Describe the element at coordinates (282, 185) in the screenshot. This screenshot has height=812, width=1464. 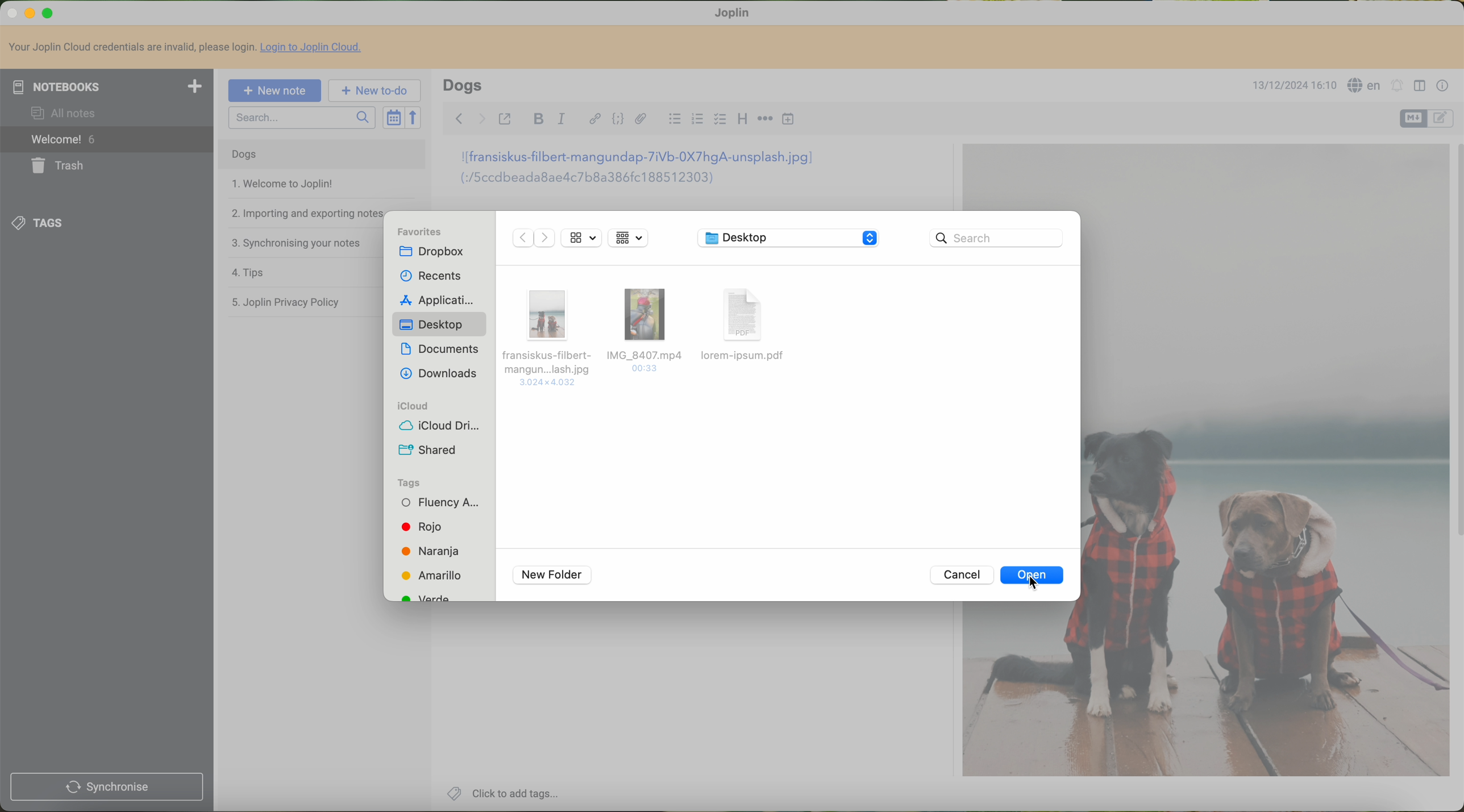
I see `welcome note` at that location.